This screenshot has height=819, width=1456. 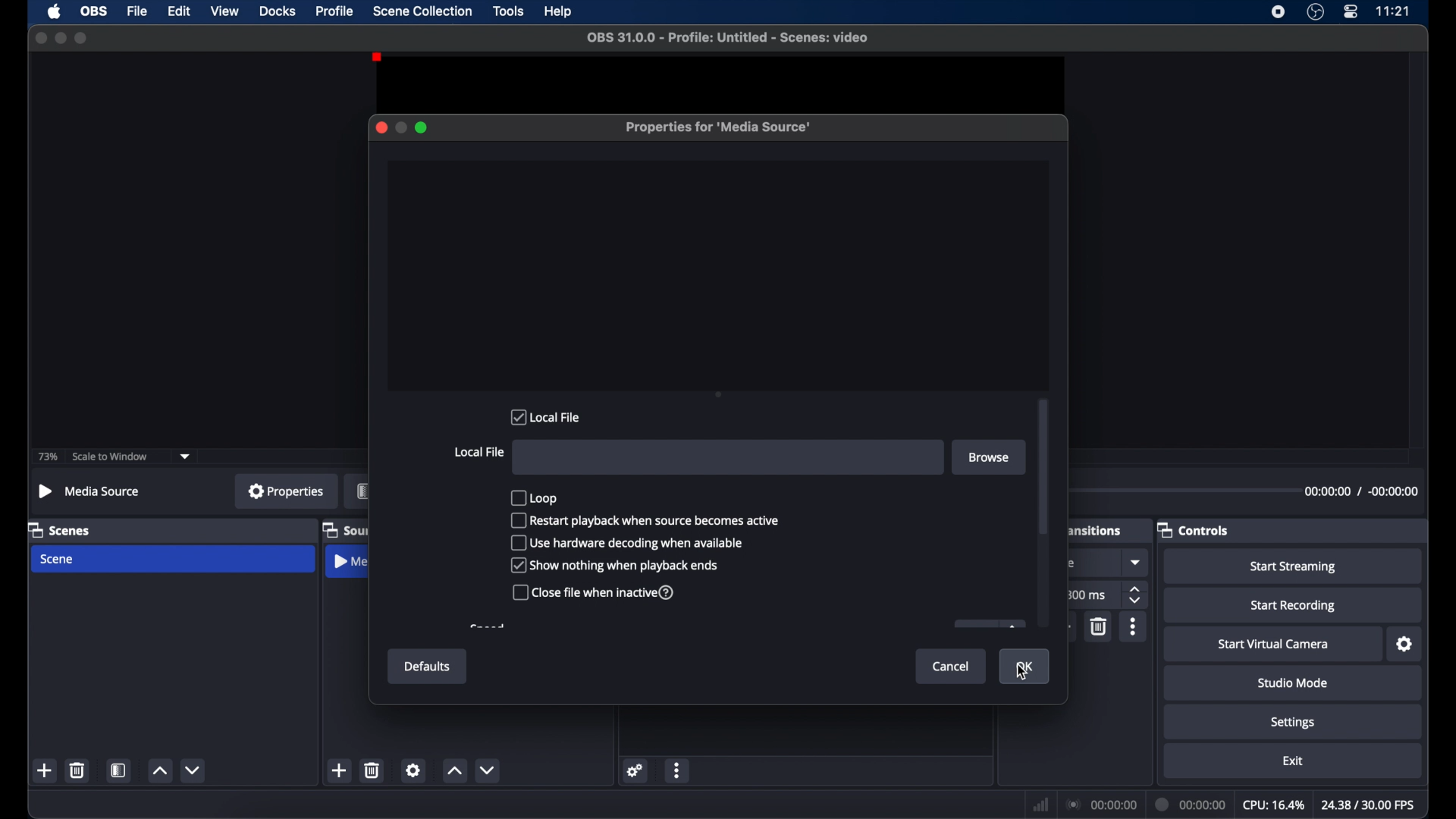 What do you see at coordinates (1137, 563) in the screenshot?
I see `dropdown` at bounding box center [1137, 563].